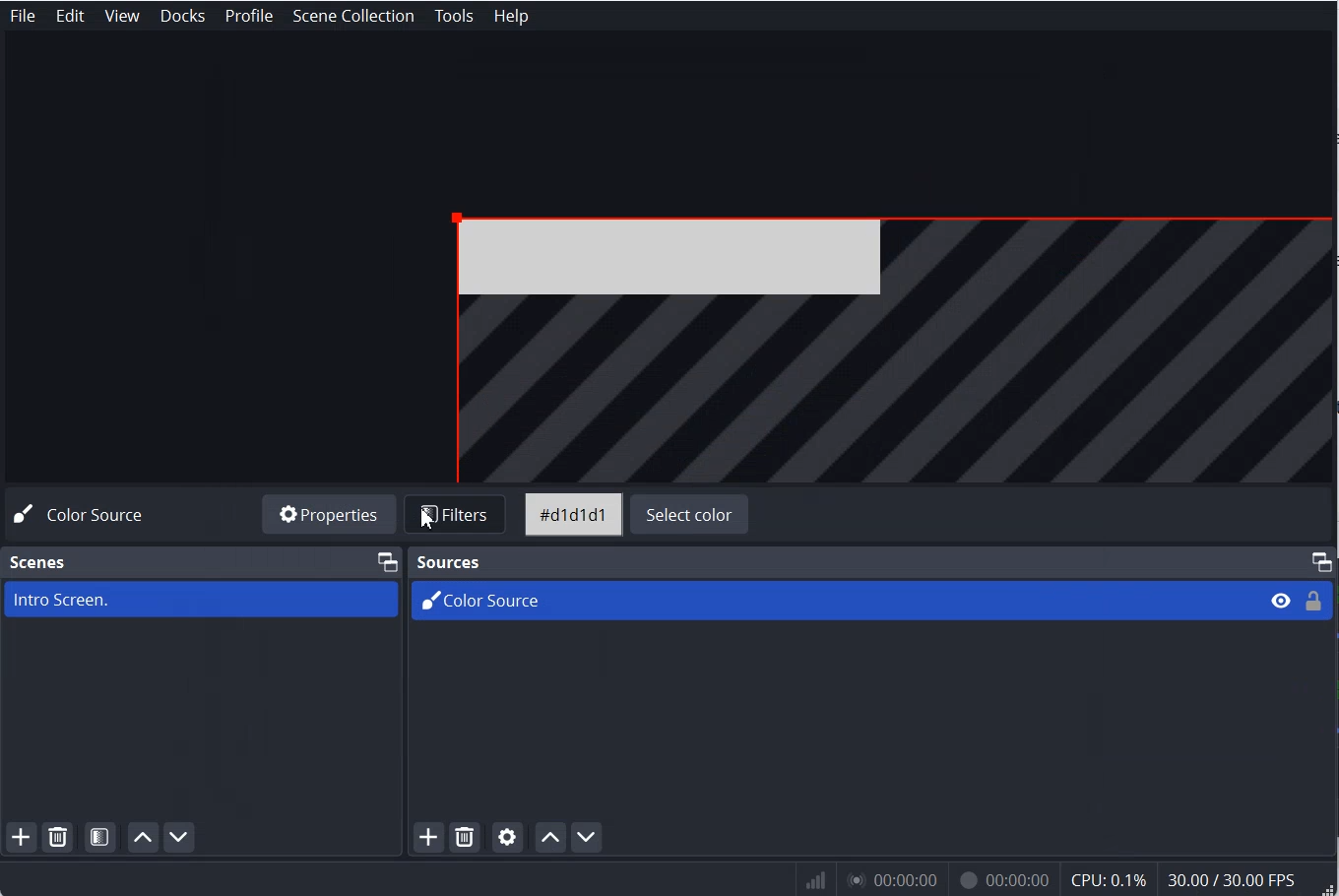 Image resolution: width=1339 pixels, height=896 pixels. Describe the element at coordinates (428, 838) in the screenshot. I see `Add Source` at that location.